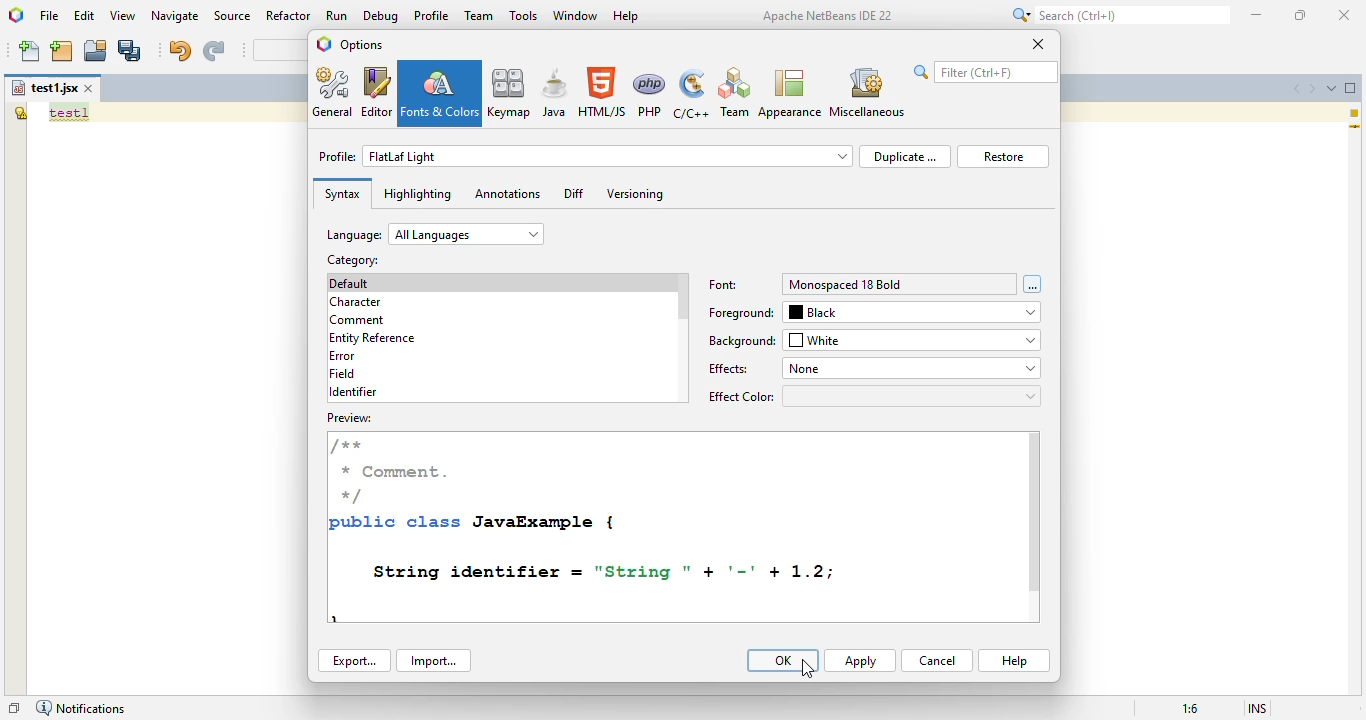 The height and width of the screenshot is (720, 1366). Describe the element at coordinates (692, 94) in the screenshot. I see `C/C++` at that location.